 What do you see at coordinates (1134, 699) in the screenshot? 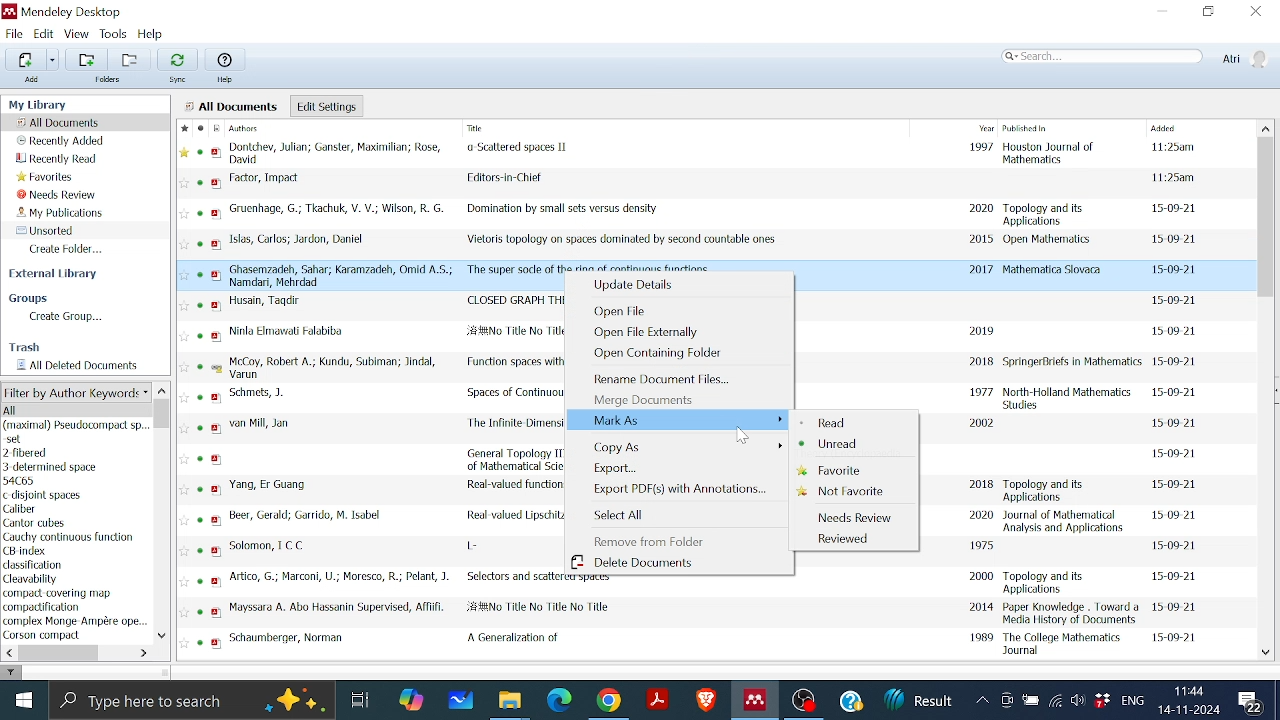
I see `Language` at bounding box center [1134, 699].